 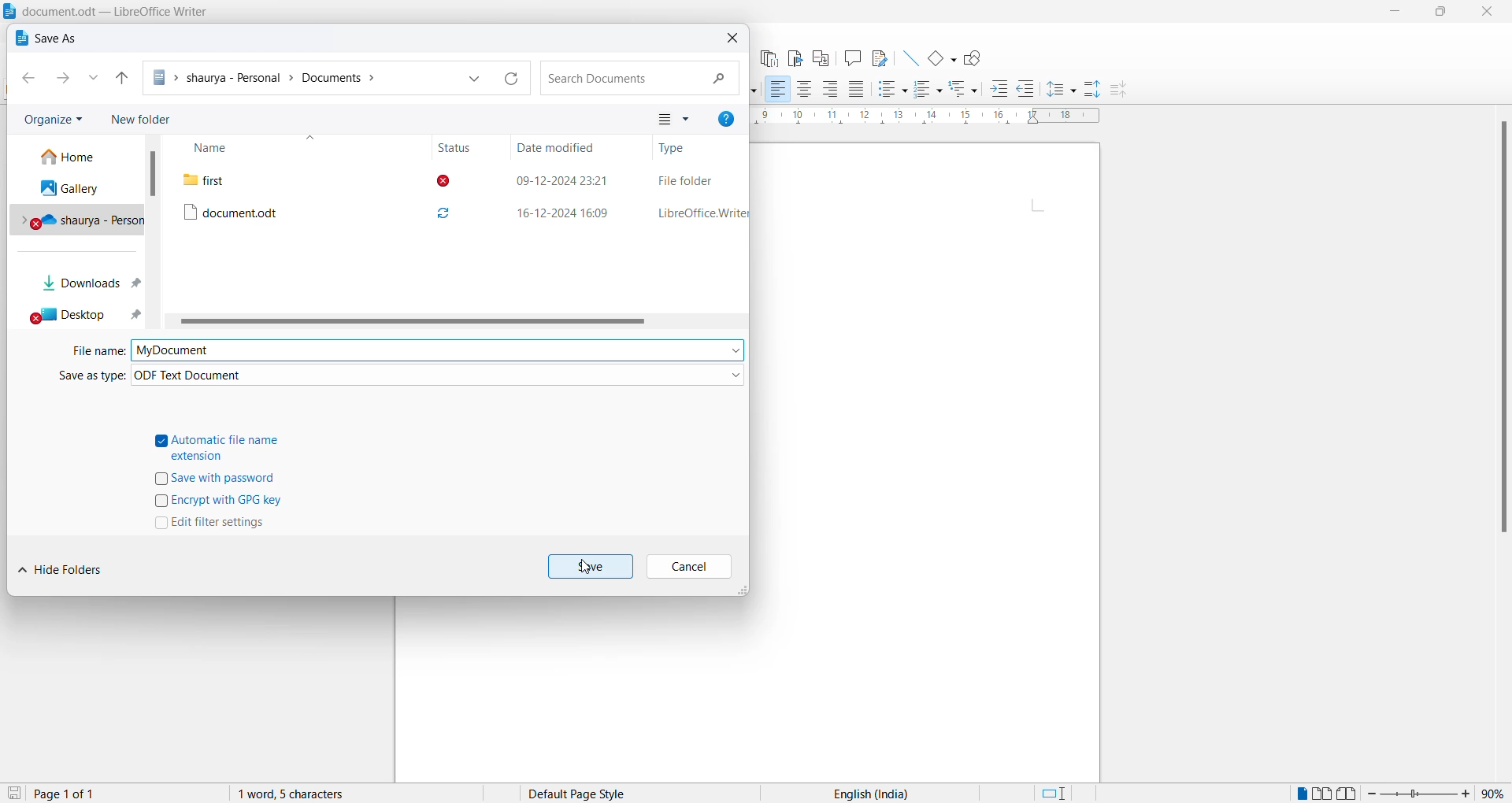 What do you see at coordinates (730, 41) in the screenshot?
I see `Close` at bounding box center [730, 41].